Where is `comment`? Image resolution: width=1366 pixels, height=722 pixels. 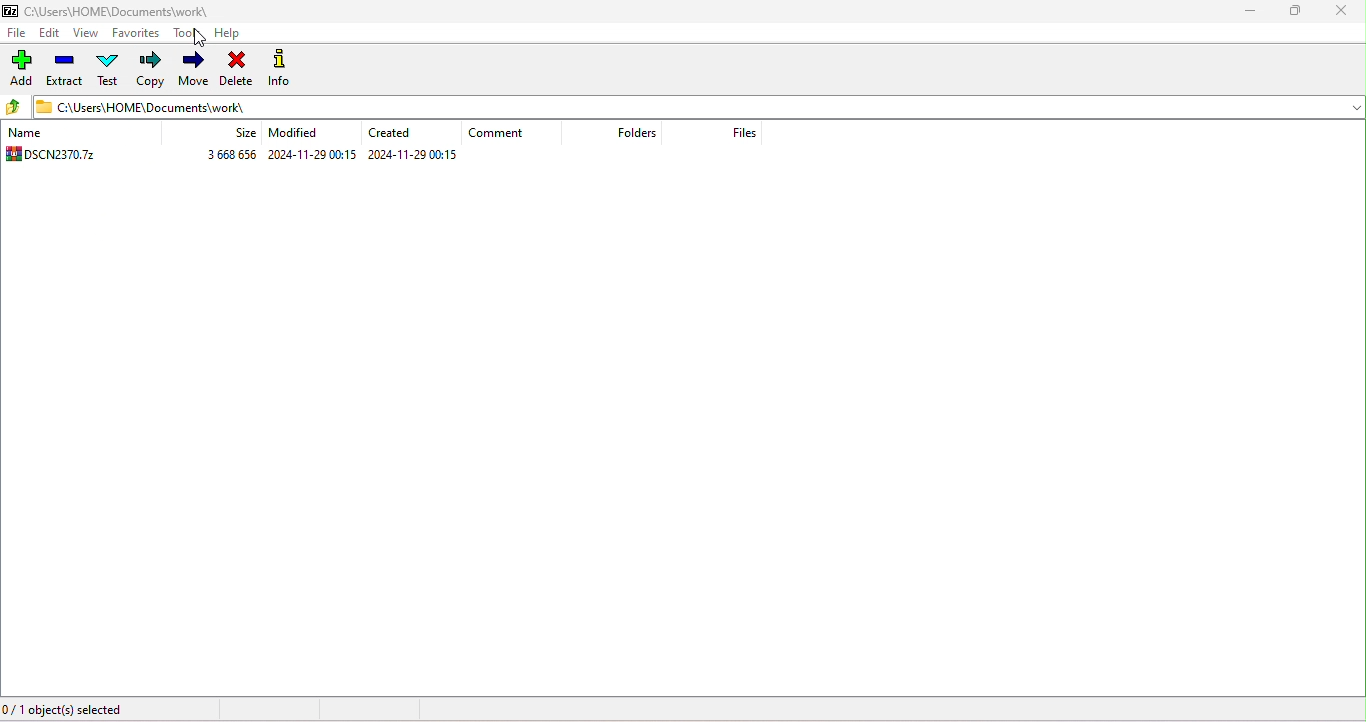
comment is located at coordinates (514, 134).